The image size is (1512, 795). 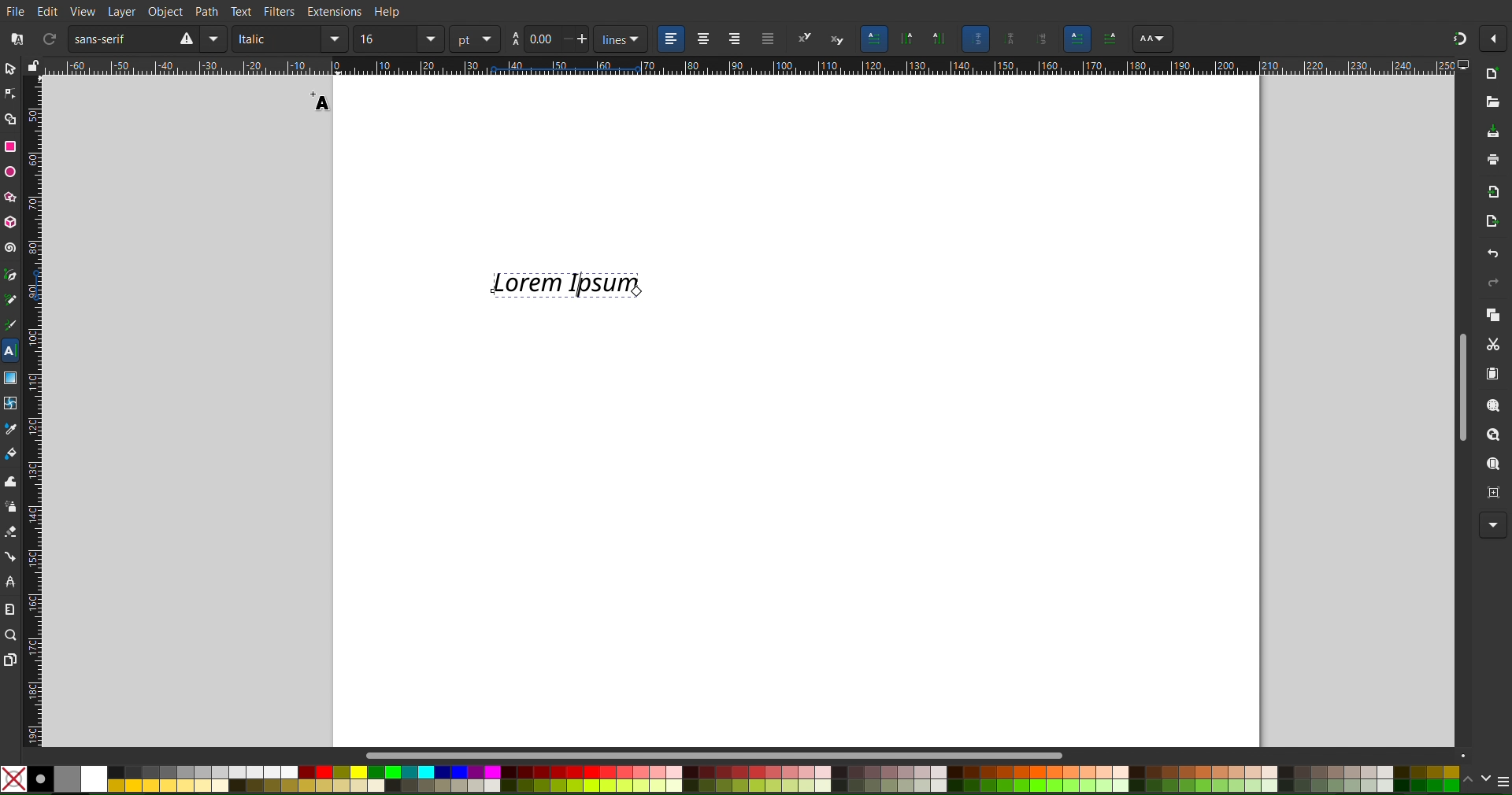 What do you see at coordinates (9, 610) in the screenshot?
I see `Measure` at bounding box center [9, 610].